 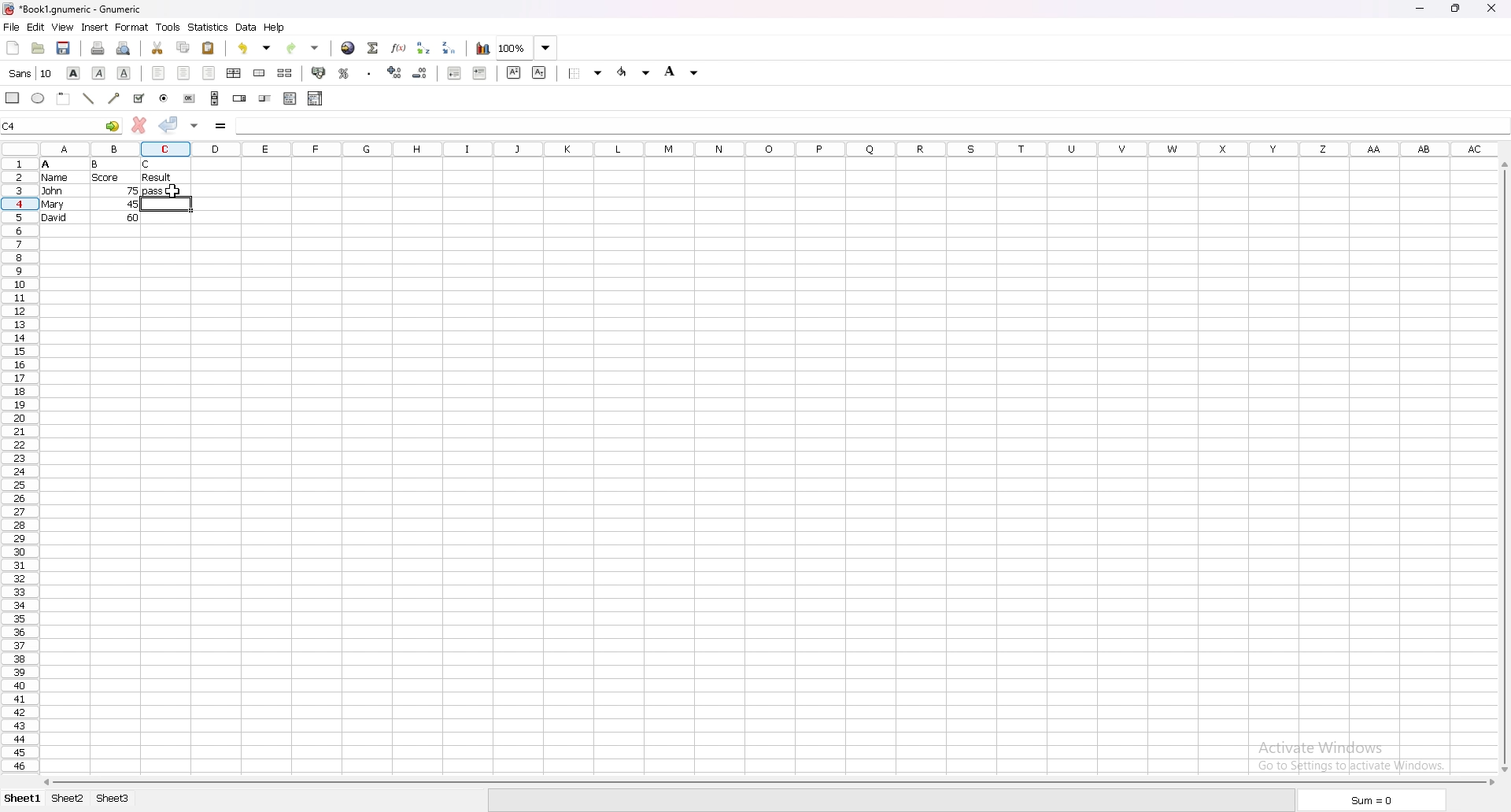 What do you see at coordinates (526, 48) in the screenshot?
I see `zoom` at bounding box center [526, 48].